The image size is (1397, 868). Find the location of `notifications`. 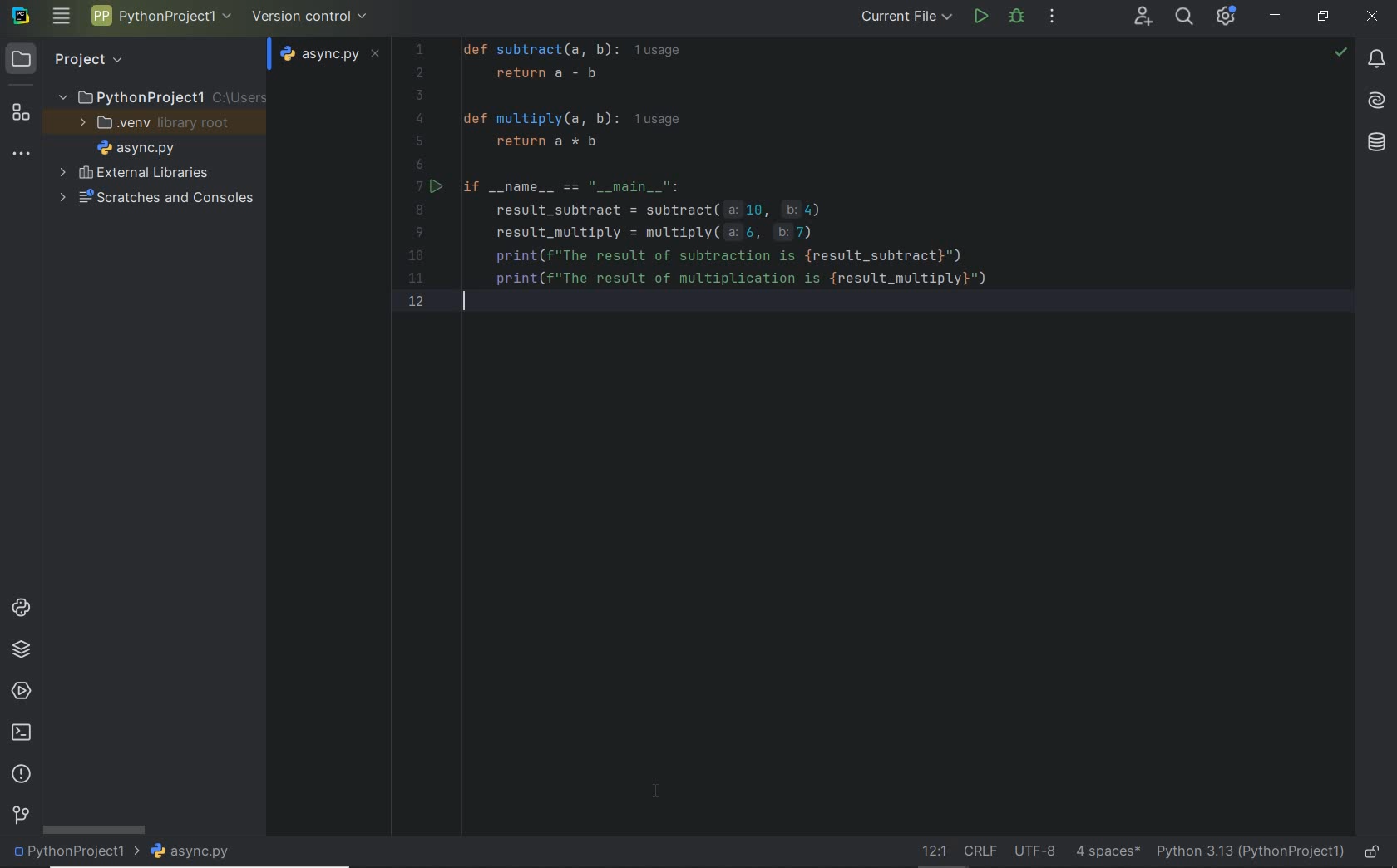

notifications is located at coordinates (1376, 60).